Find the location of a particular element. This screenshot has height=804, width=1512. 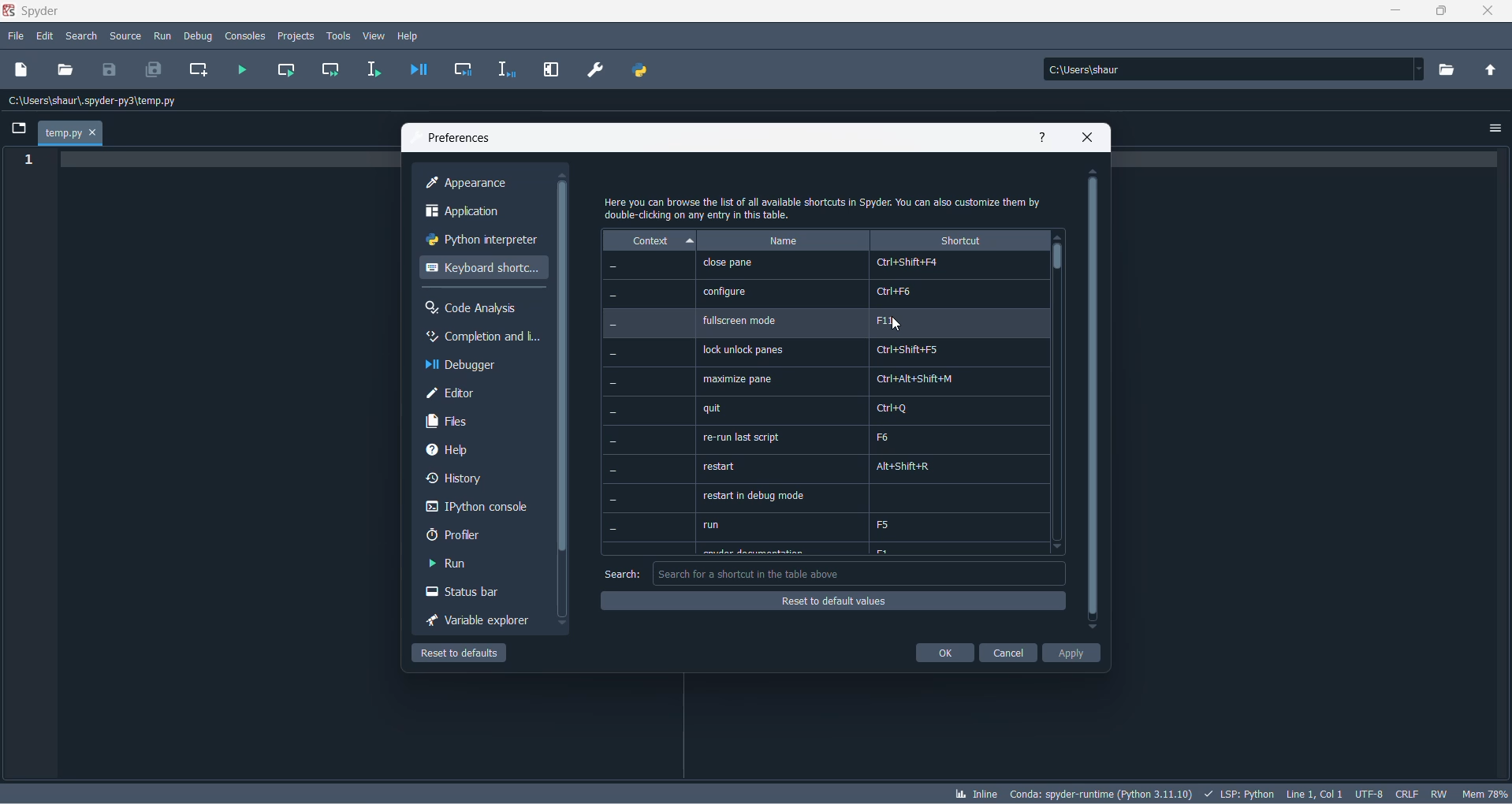

apply is located at coordinates (1072, 655).